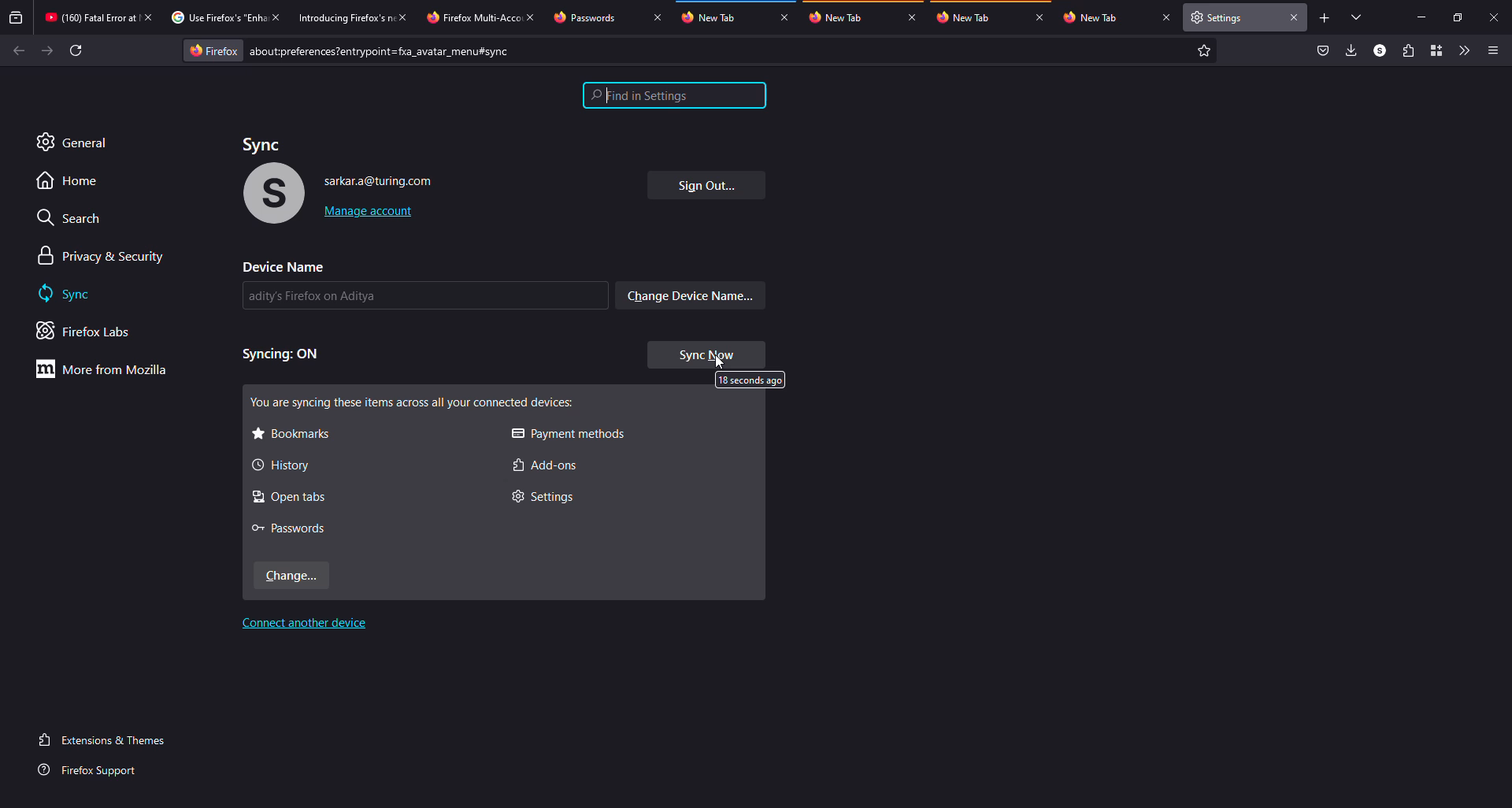  Describe the element at coordinates (109, 254) in the screenshot. I see `privacy` at that location.